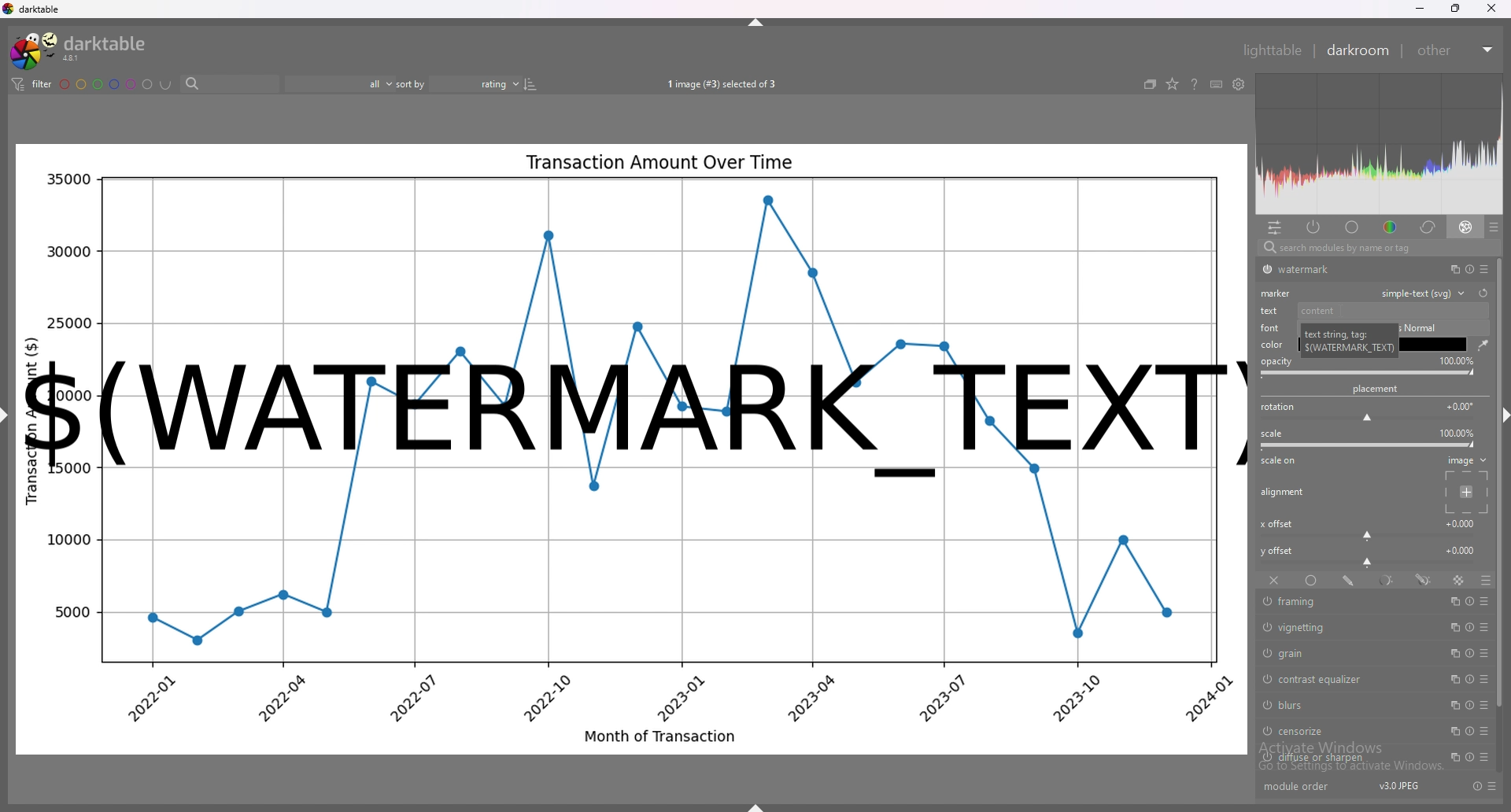 The image size is (1511, 812). What do you see at coordinates (1494, 227) in the screenshot?
I see `presets` at bounding box center [1494, 227].